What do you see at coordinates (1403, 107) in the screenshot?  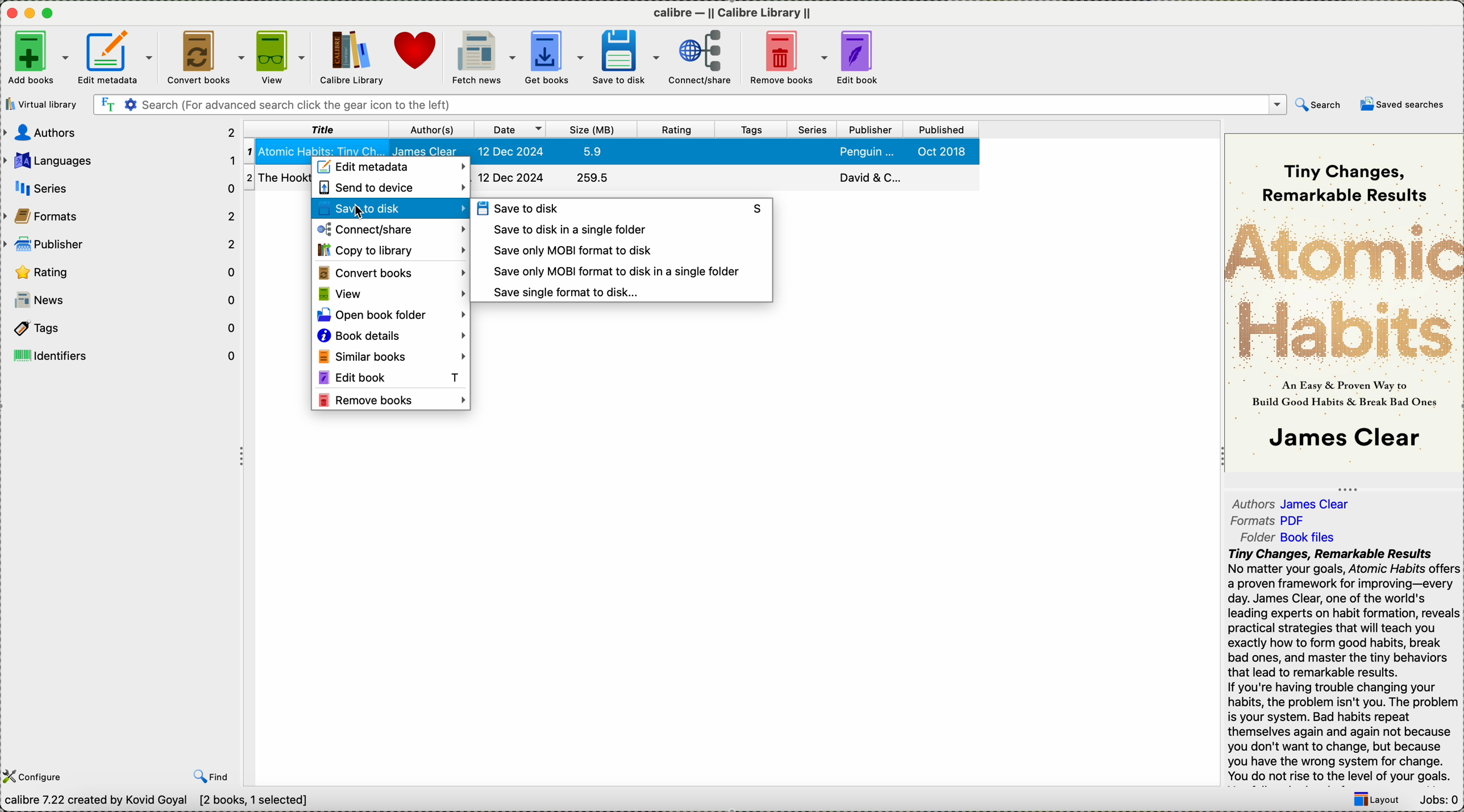 I see `saved searches` at bounding box center [1403, 107].